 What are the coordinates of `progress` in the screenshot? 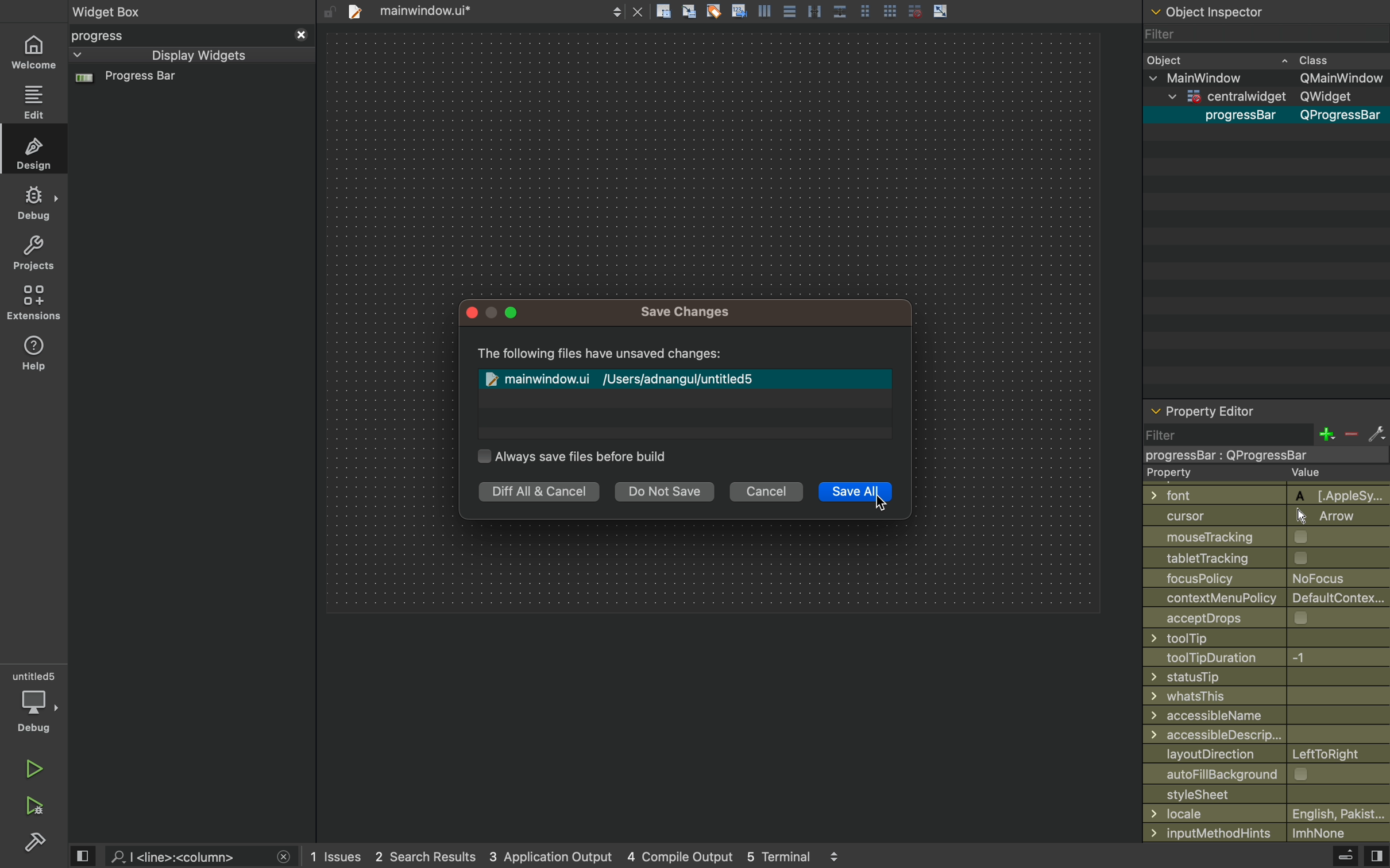 It's located at (191, 36).